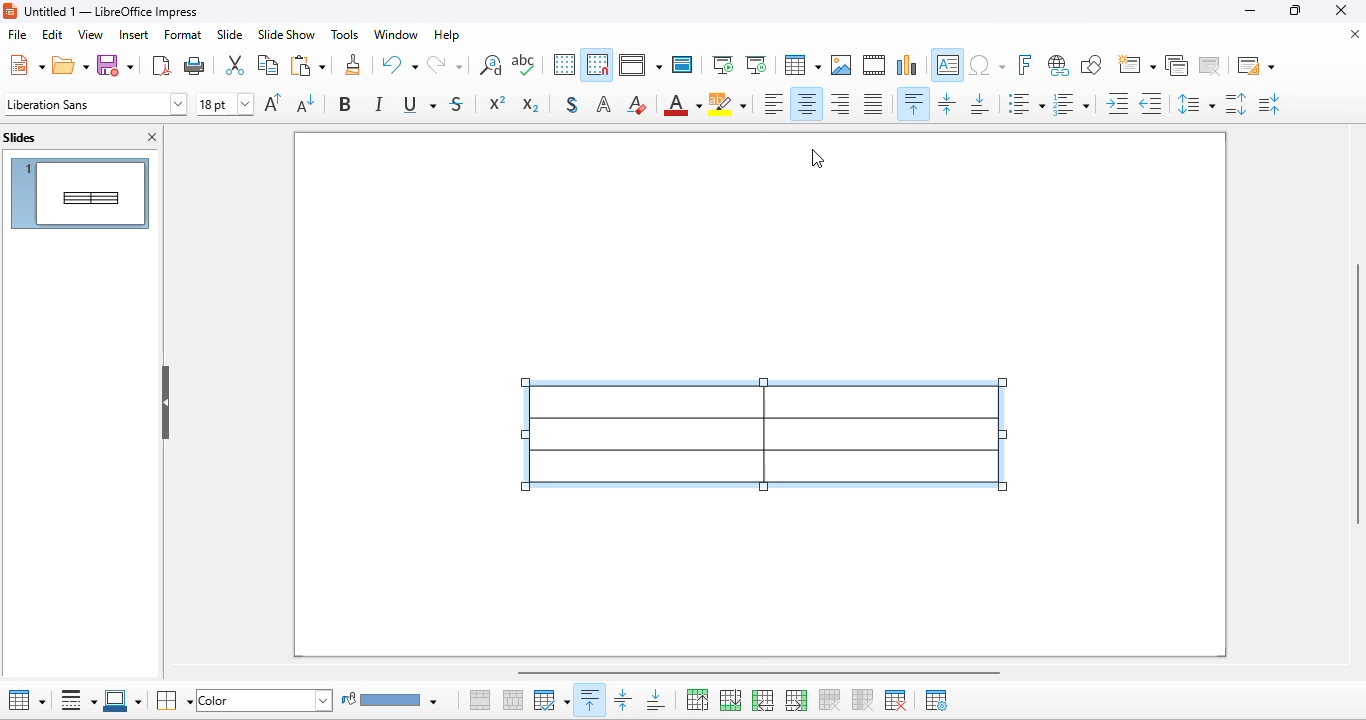 This screenshot has height=720, width=1366. Describe the element at coordinates (914, 103) in the screenshot. I see `align top` at that location.